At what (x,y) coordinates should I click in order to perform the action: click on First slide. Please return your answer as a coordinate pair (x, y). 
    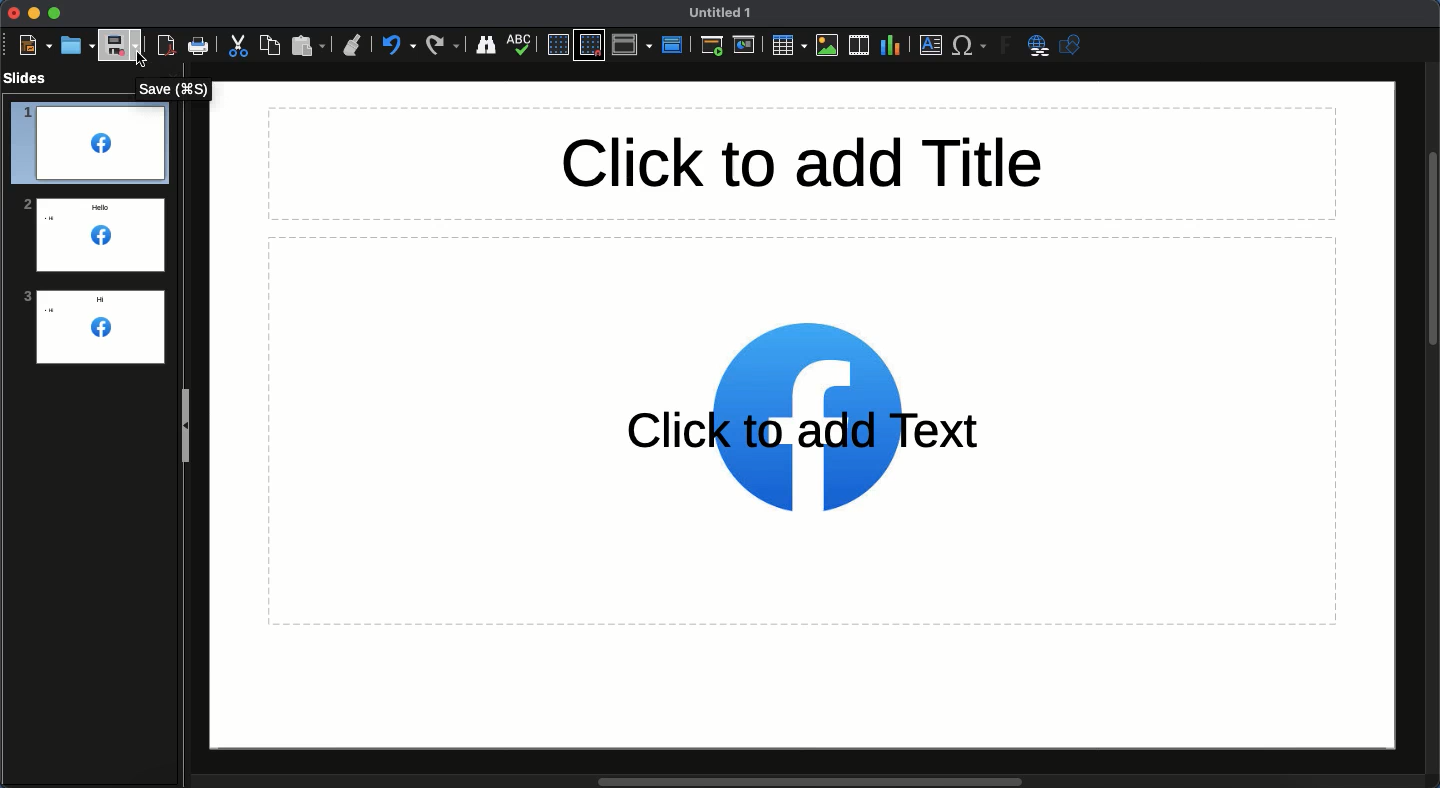
    Looking at the image, I should click on (714, 46).